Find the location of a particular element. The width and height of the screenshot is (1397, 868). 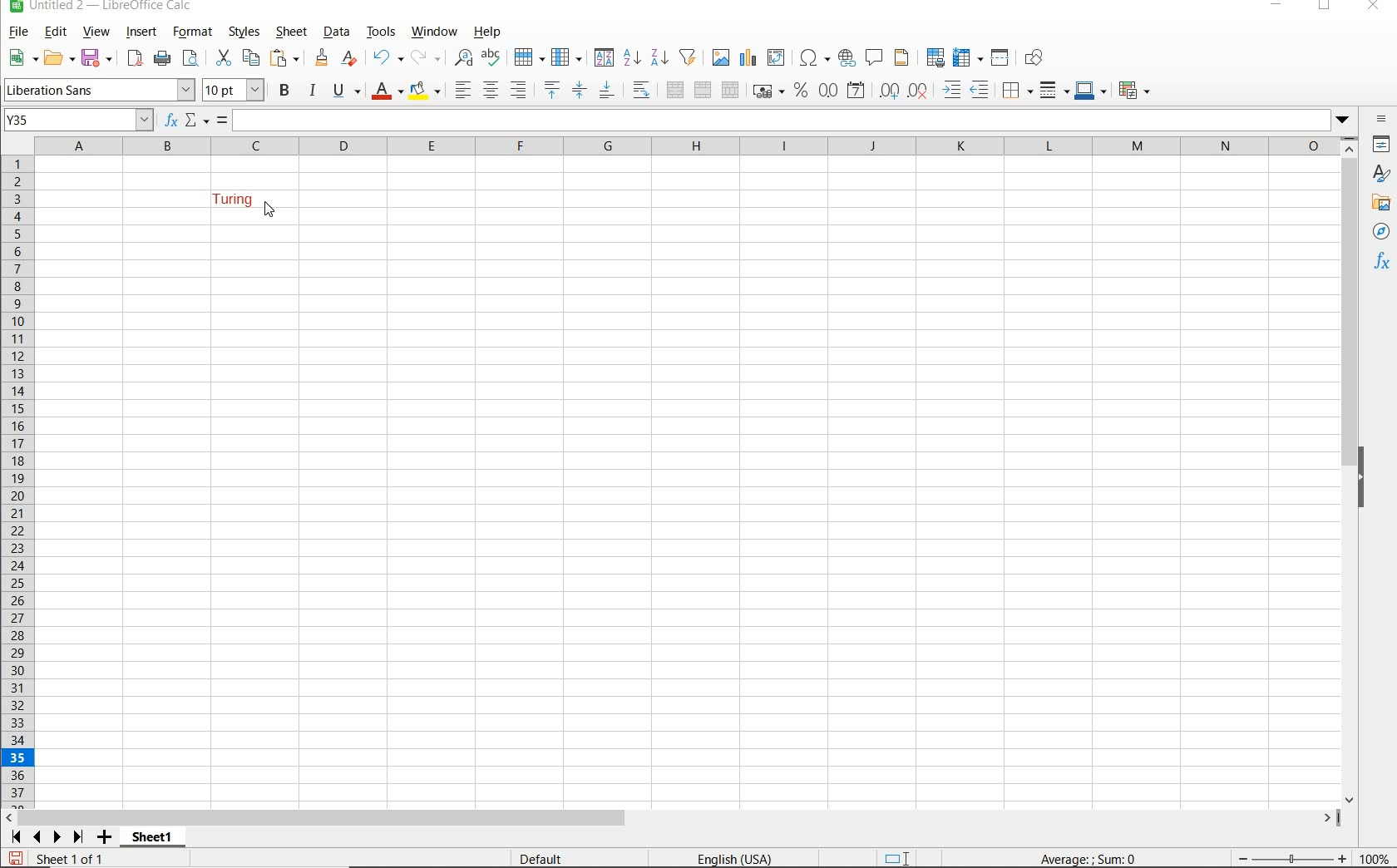

INSERT HYPERLINK is located at coordinates (847, 60).